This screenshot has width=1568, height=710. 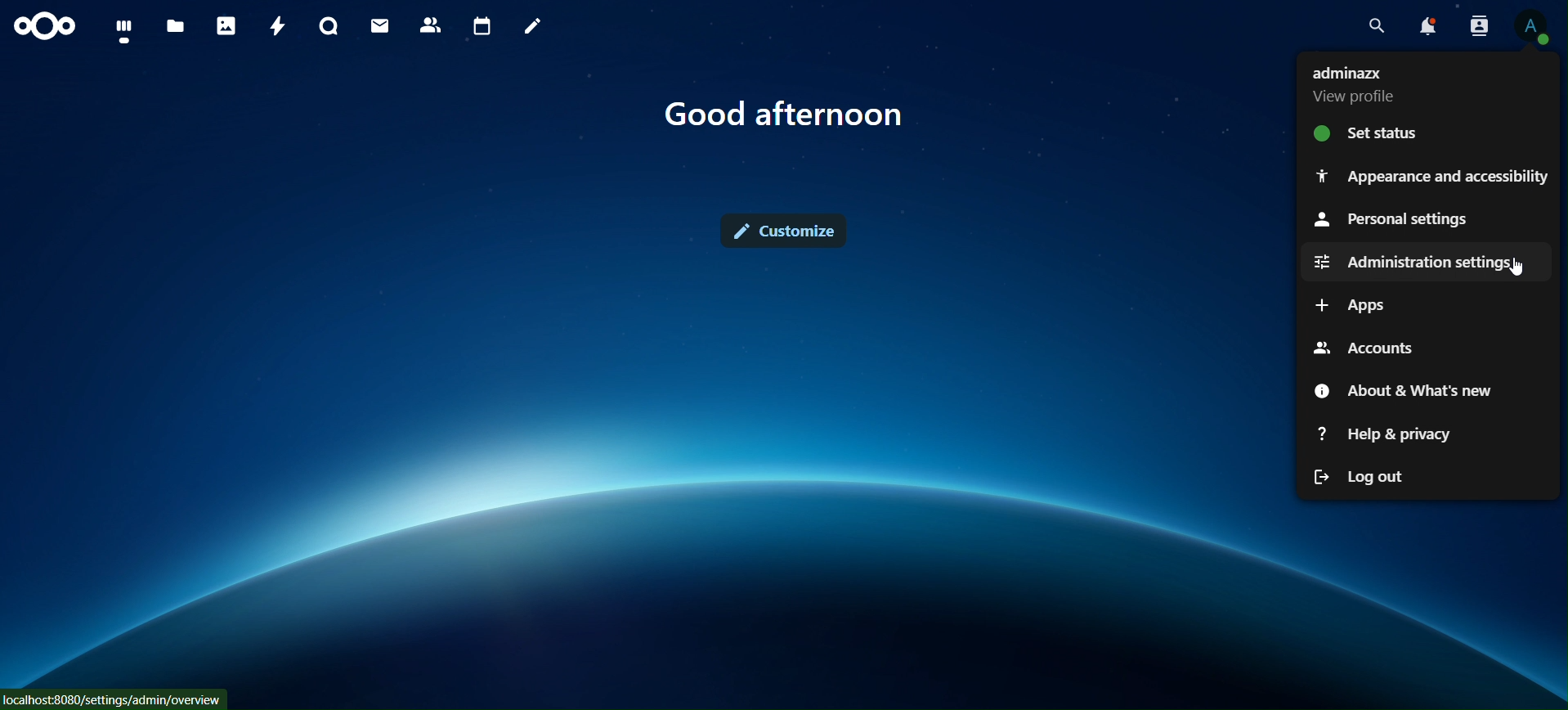 What do you see at coordinates (174, 26) in the screenshot?
I see `files` at bounding box center [174, 26].